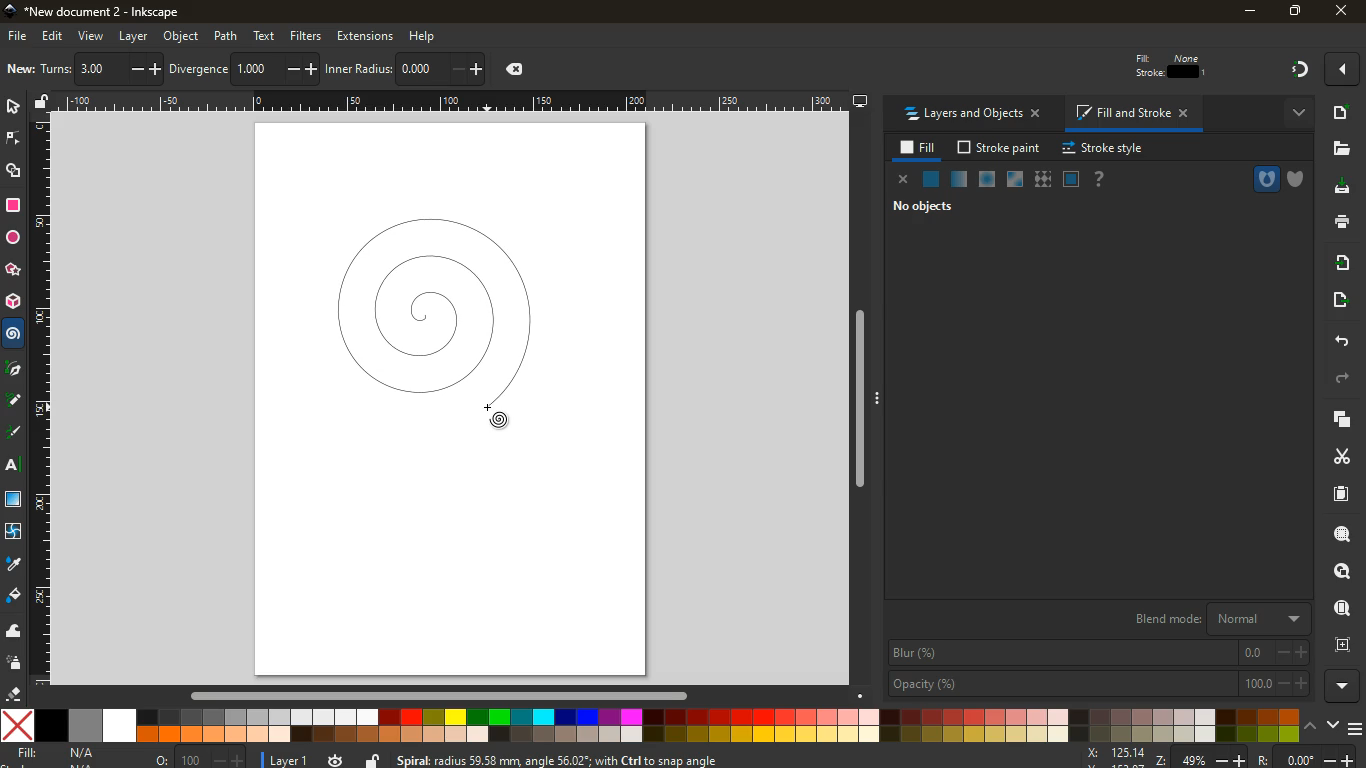 The height and width of the screenshot is (768, 1366). What do you see at coordinates (18, 36) in the screenshot?
I see `file` at bounding box center [18, 36].